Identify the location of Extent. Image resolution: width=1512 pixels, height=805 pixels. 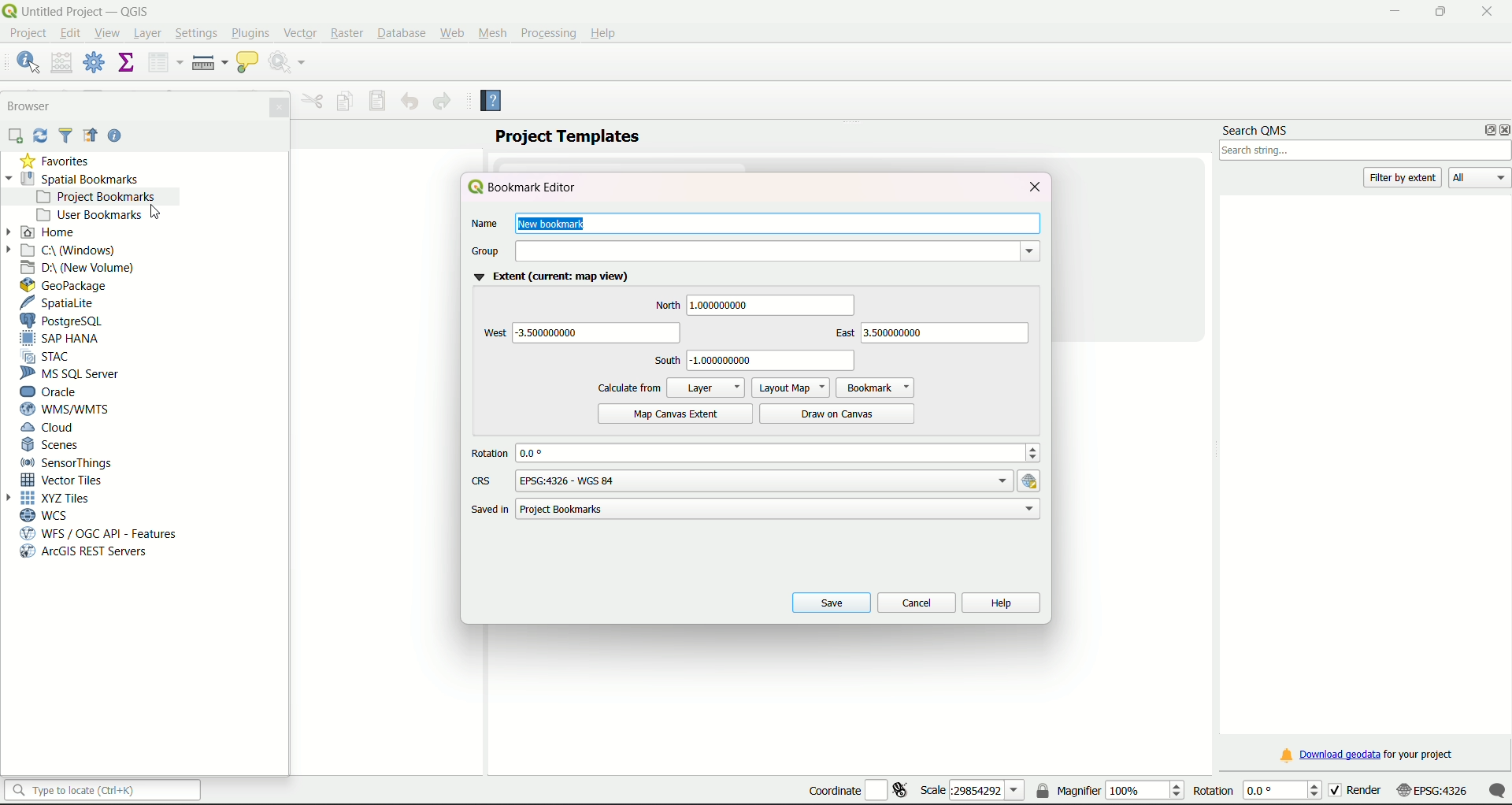
(550, 277).